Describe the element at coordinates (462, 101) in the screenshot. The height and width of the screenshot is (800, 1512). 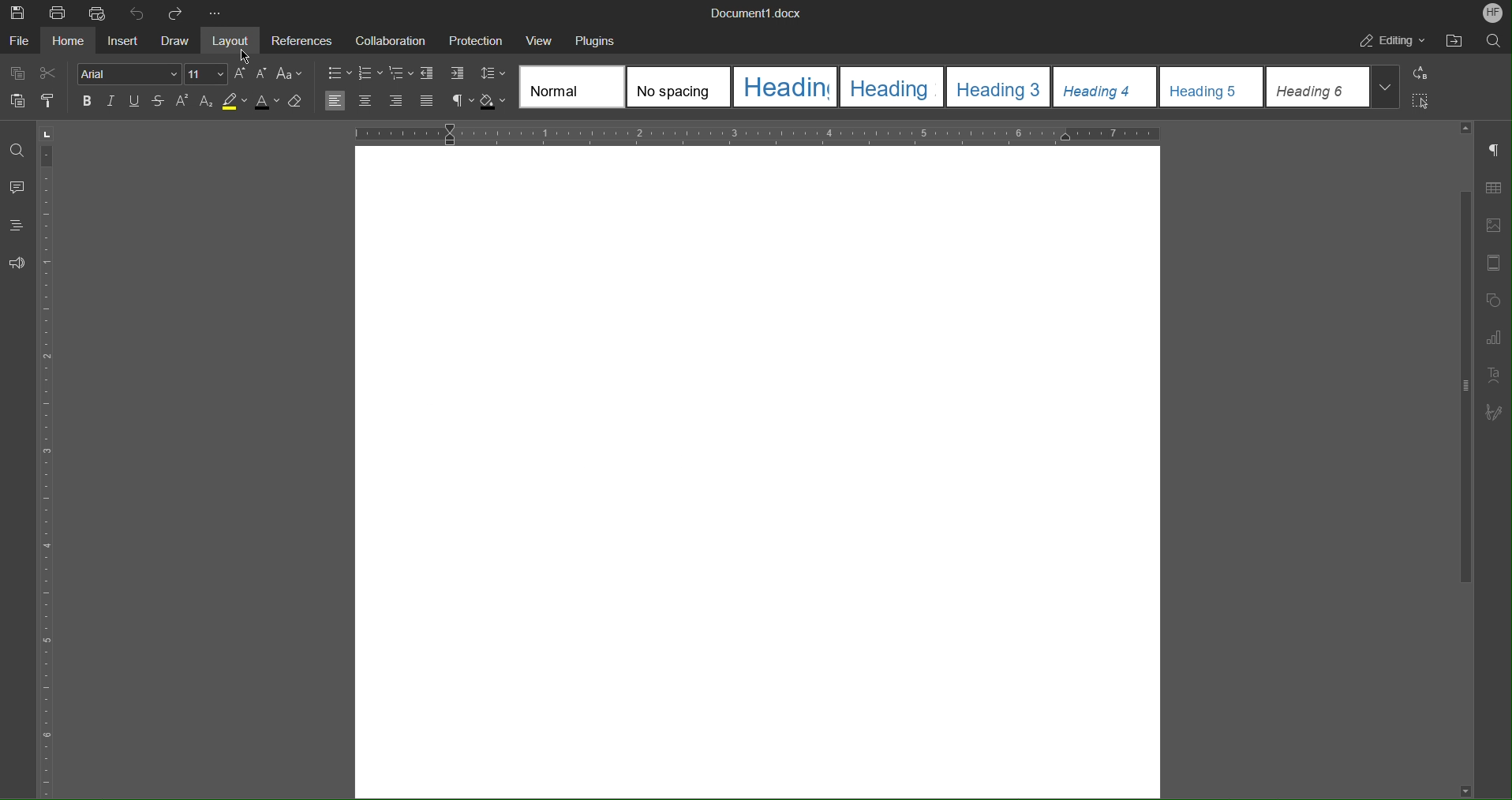
I see `Non-Printing Character` at that location.